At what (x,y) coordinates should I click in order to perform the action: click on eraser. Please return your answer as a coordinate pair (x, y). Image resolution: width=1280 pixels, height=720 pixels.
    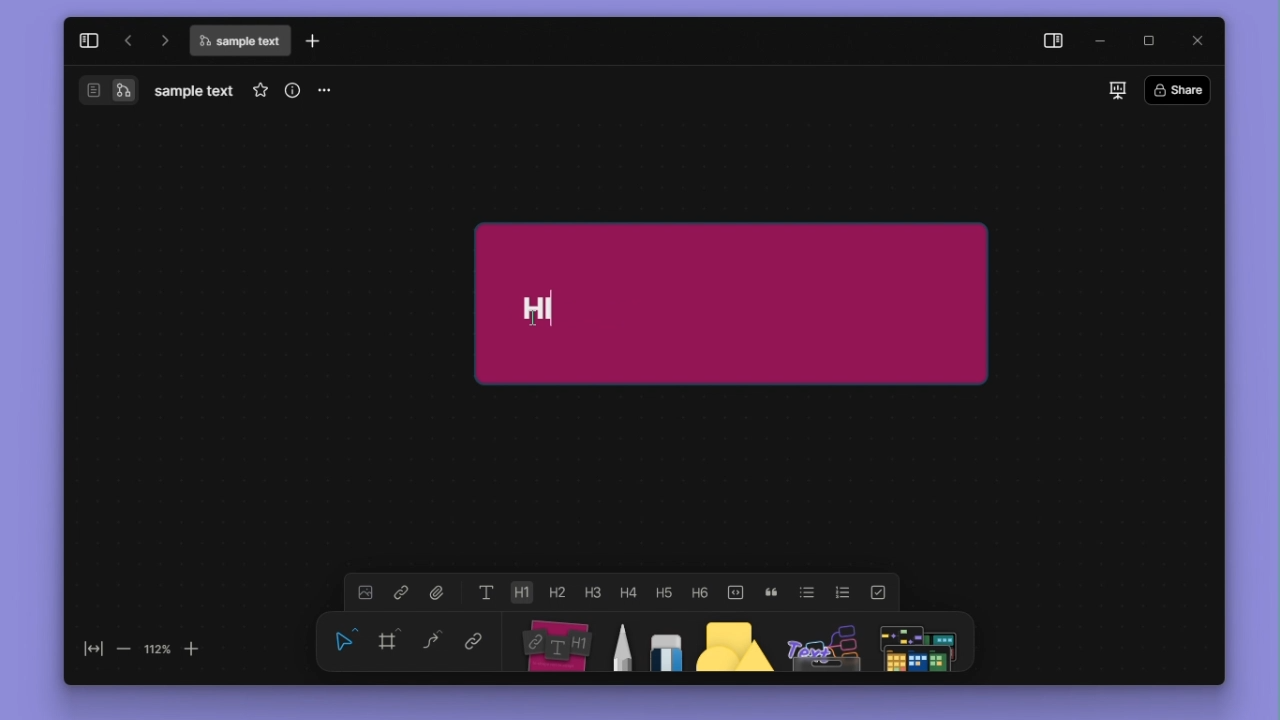
    Looking at the image, I should click on (666, 642).